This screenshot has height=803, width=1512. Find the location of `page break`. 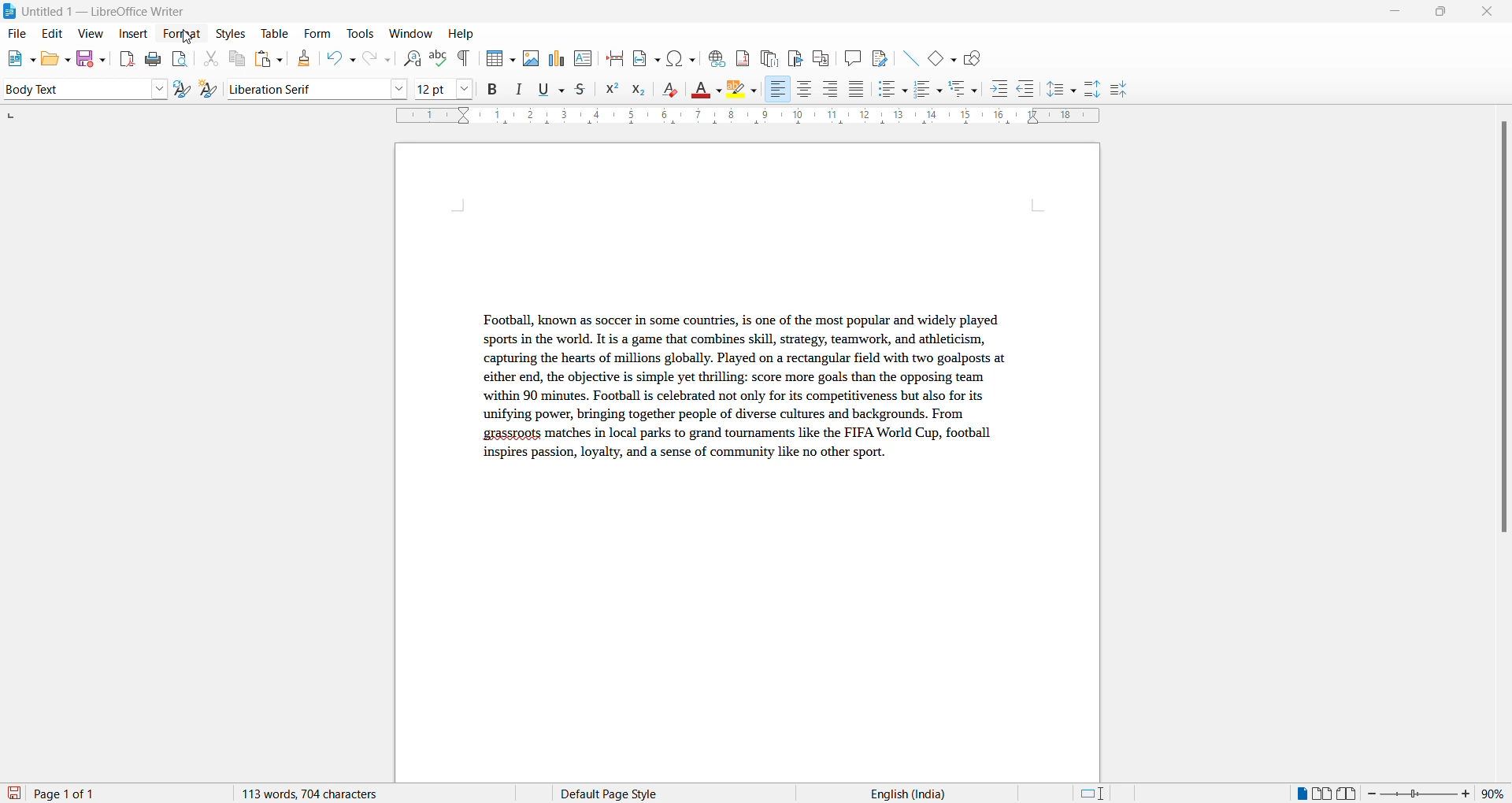

page break is located at coordinates (615, 57).